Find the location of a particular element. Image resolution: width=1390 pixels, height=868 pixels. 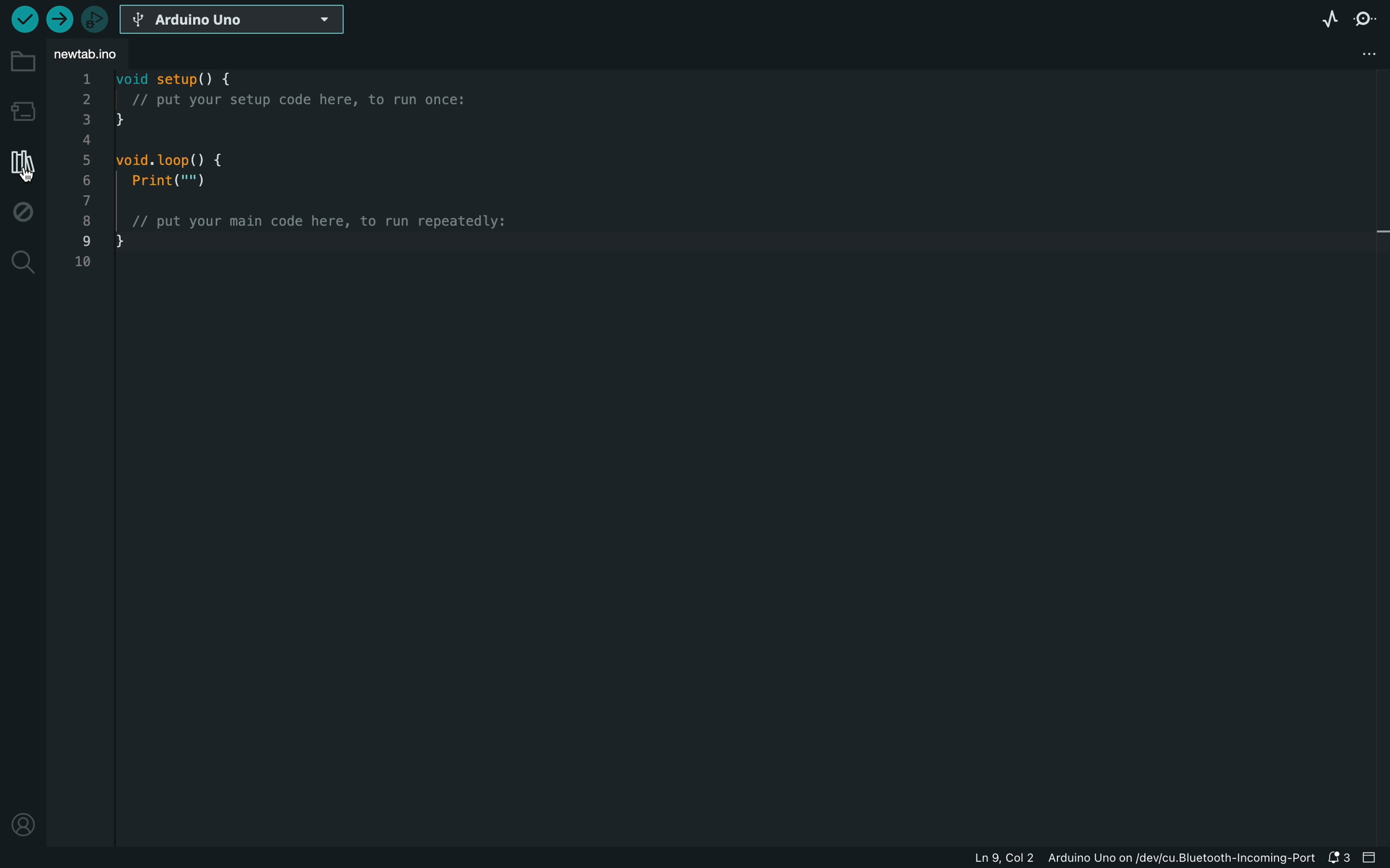

file setting is located at coordinates (1362, 52).